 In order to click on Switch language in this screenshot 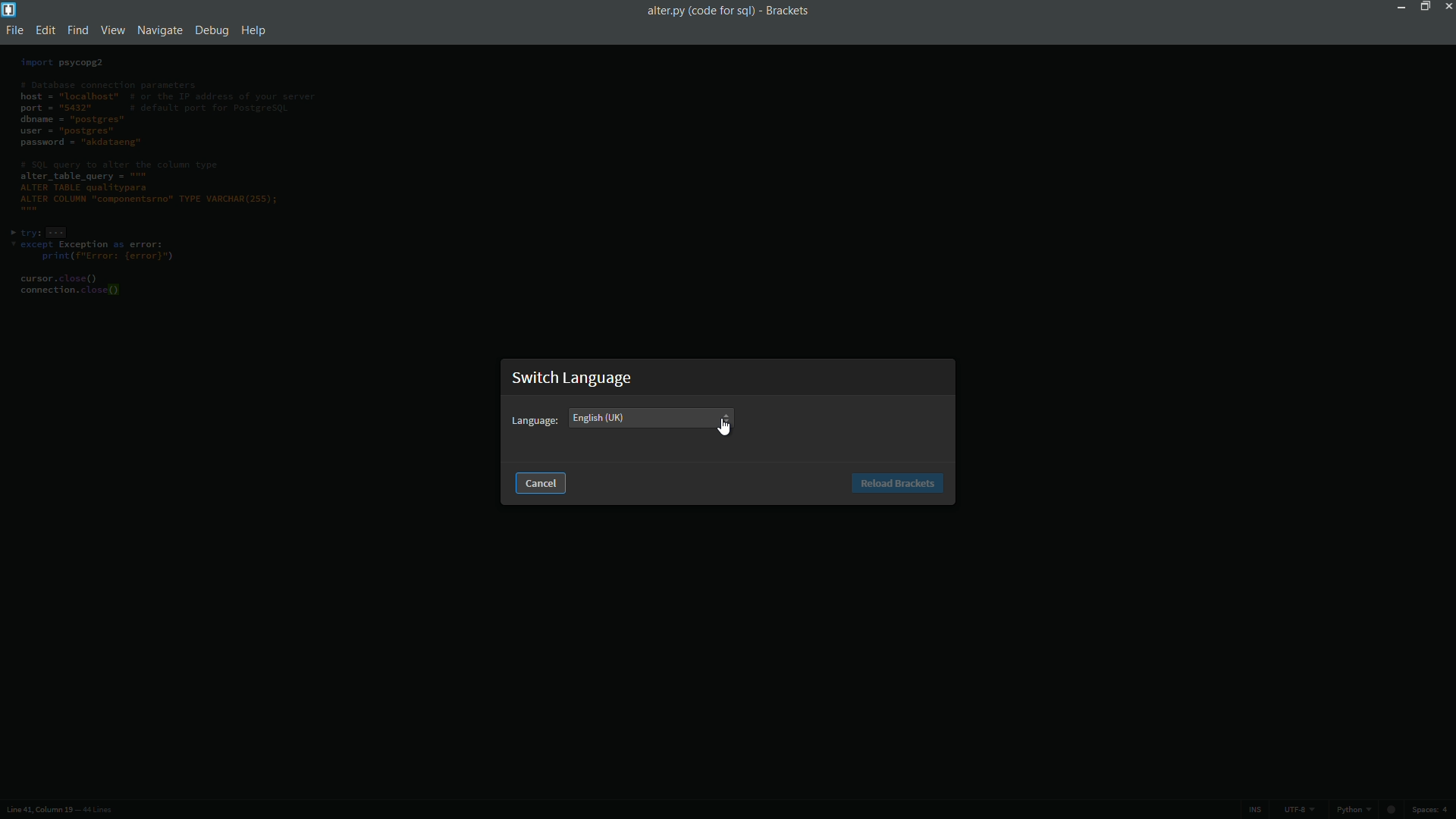, I will do `click(576, 379)`.